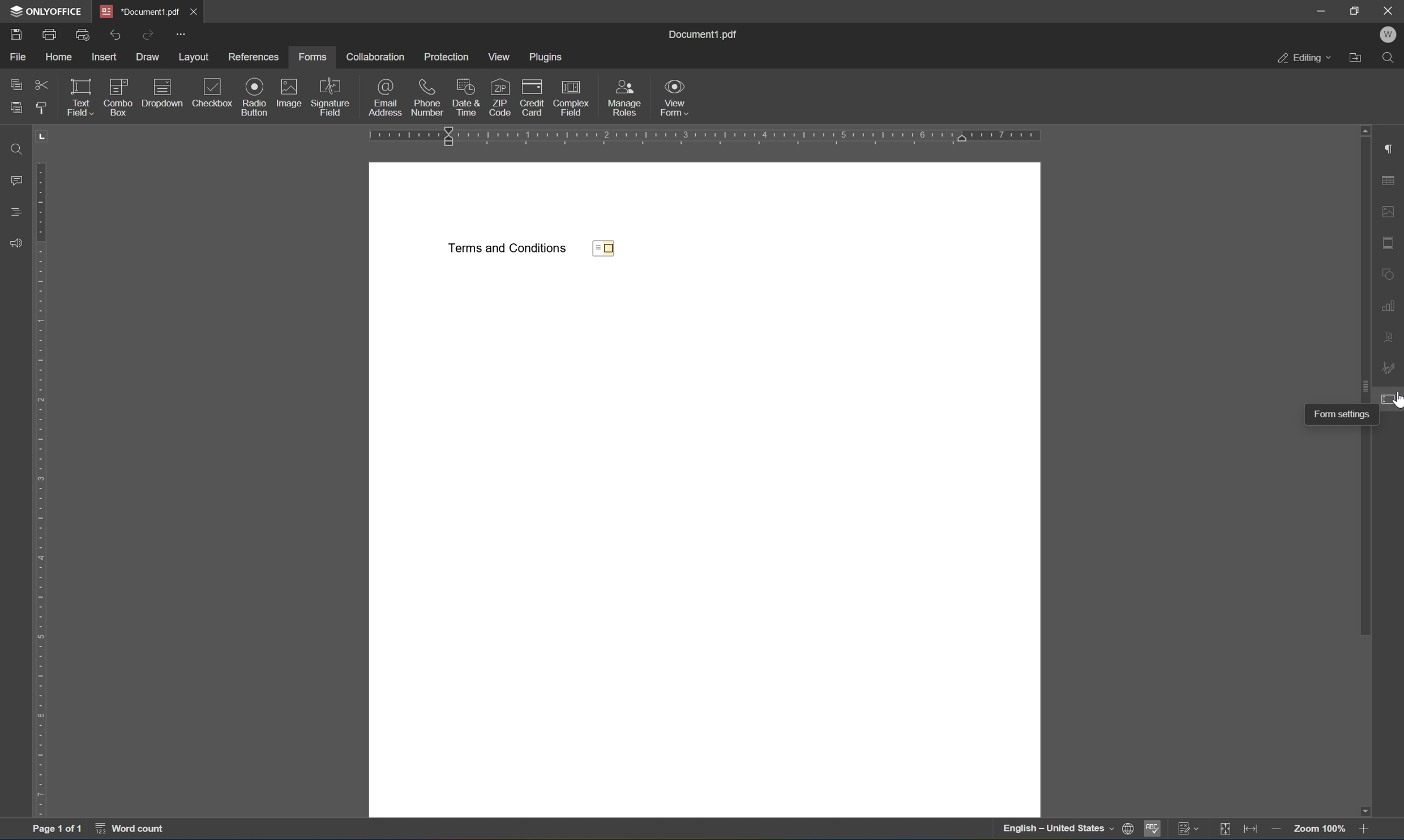 The width and height of the screenshot is (1404, 840). I want to click on minimize, so click(1317, 8).